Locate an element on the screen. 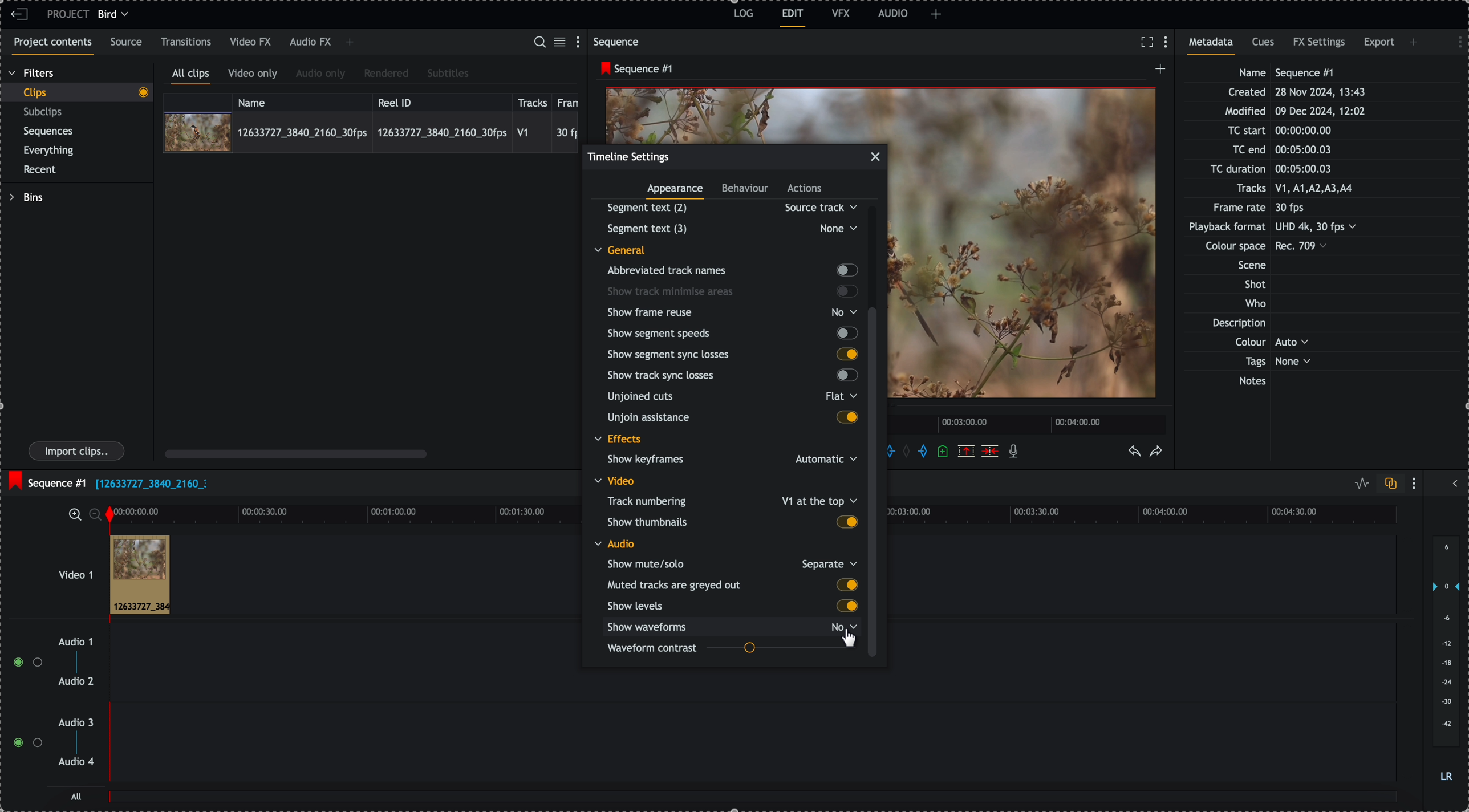  import clips button is located at coordinates (78, 452).